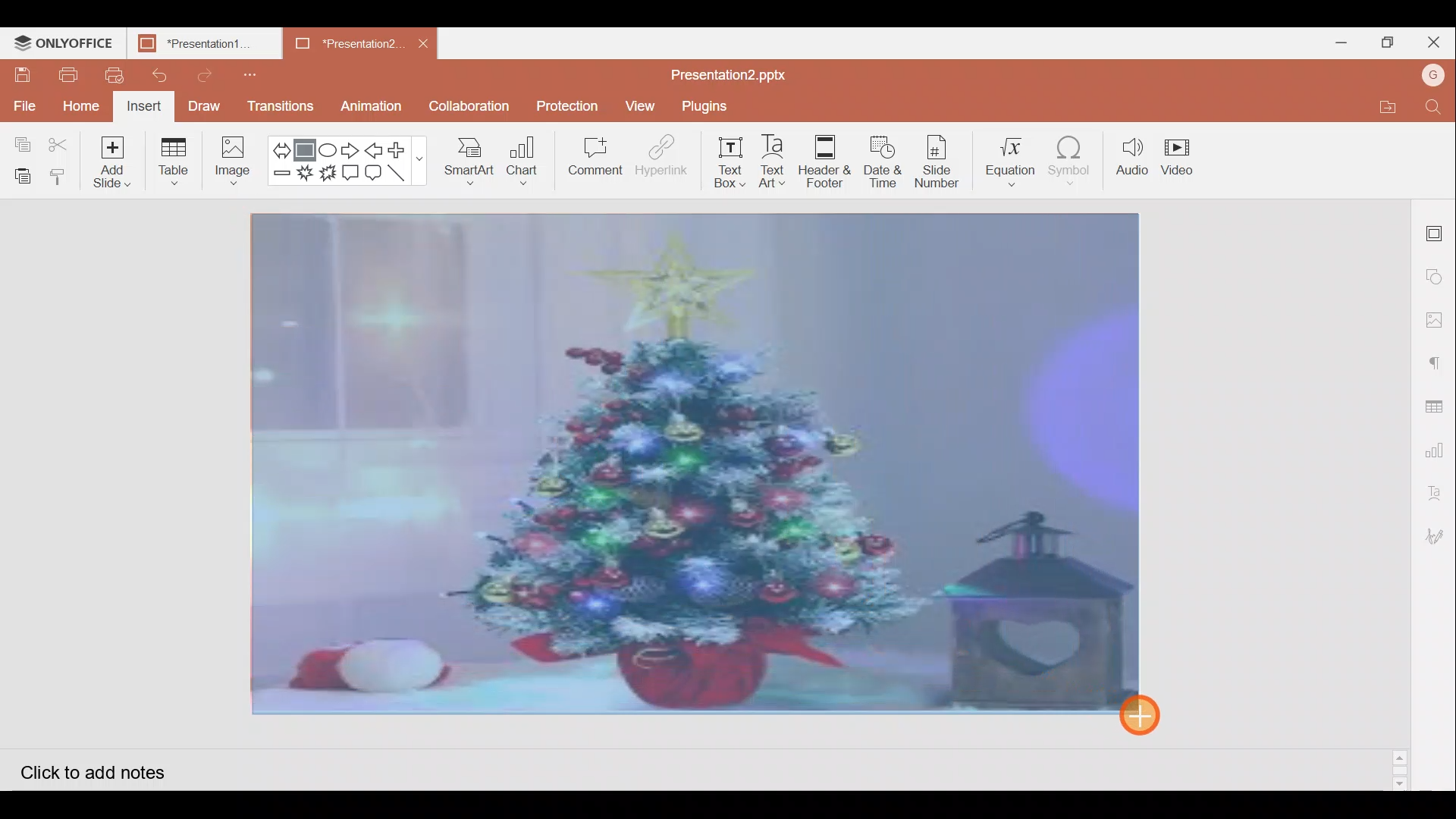 The image size is (1456, 819). What do you see at coordinates (199, 41) in the screenshot?
I see `Presentation1.` at bounding box center [199, 41].